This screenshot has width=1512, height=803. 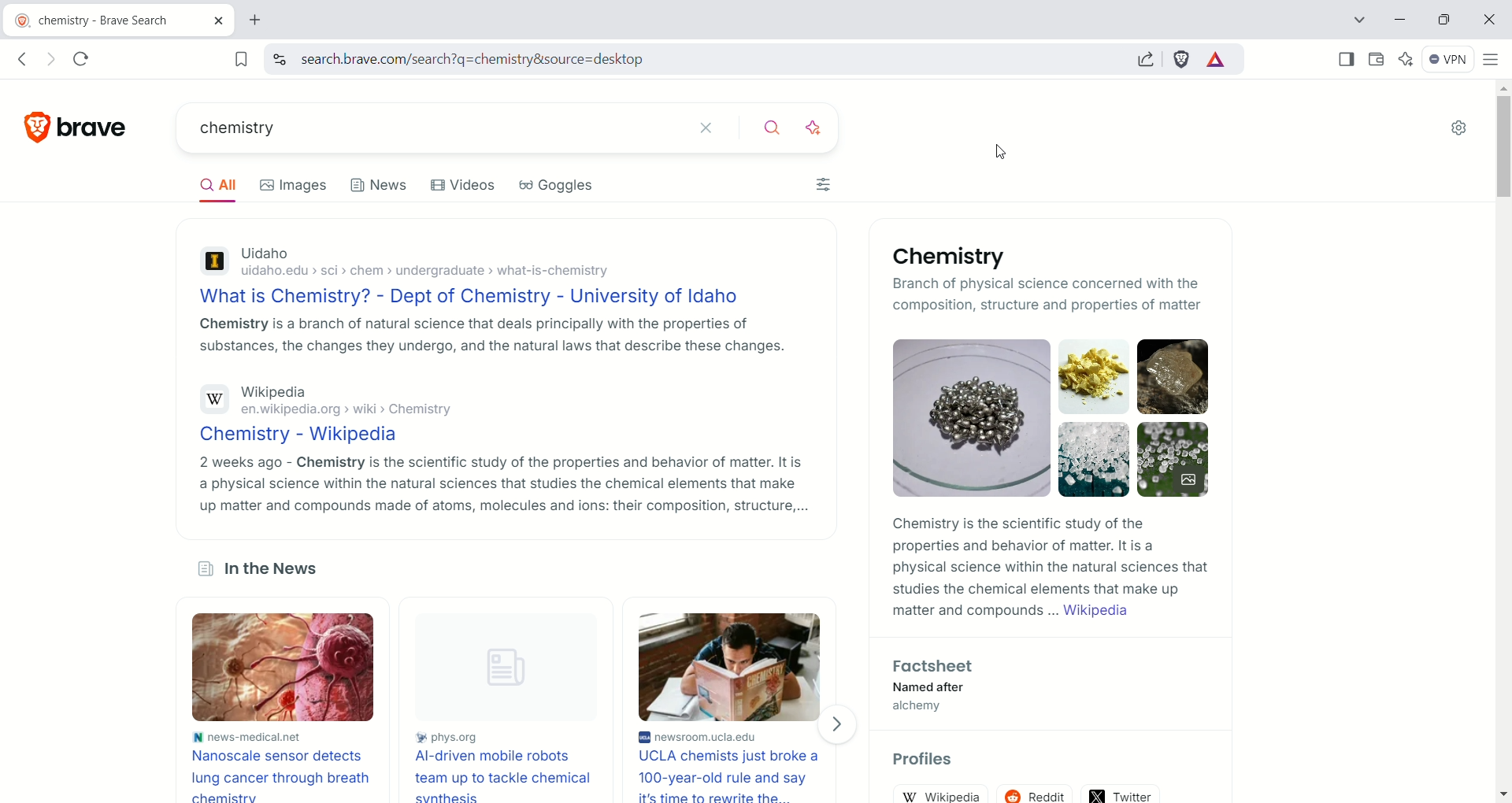 I want to click on Chemistry is the scientific study of the properties and behavior of matter. It is a physical science within the natural sciences that studies the chemical elements that make up matter and compounds … Wikipedia, so click(x=1050, y=568).